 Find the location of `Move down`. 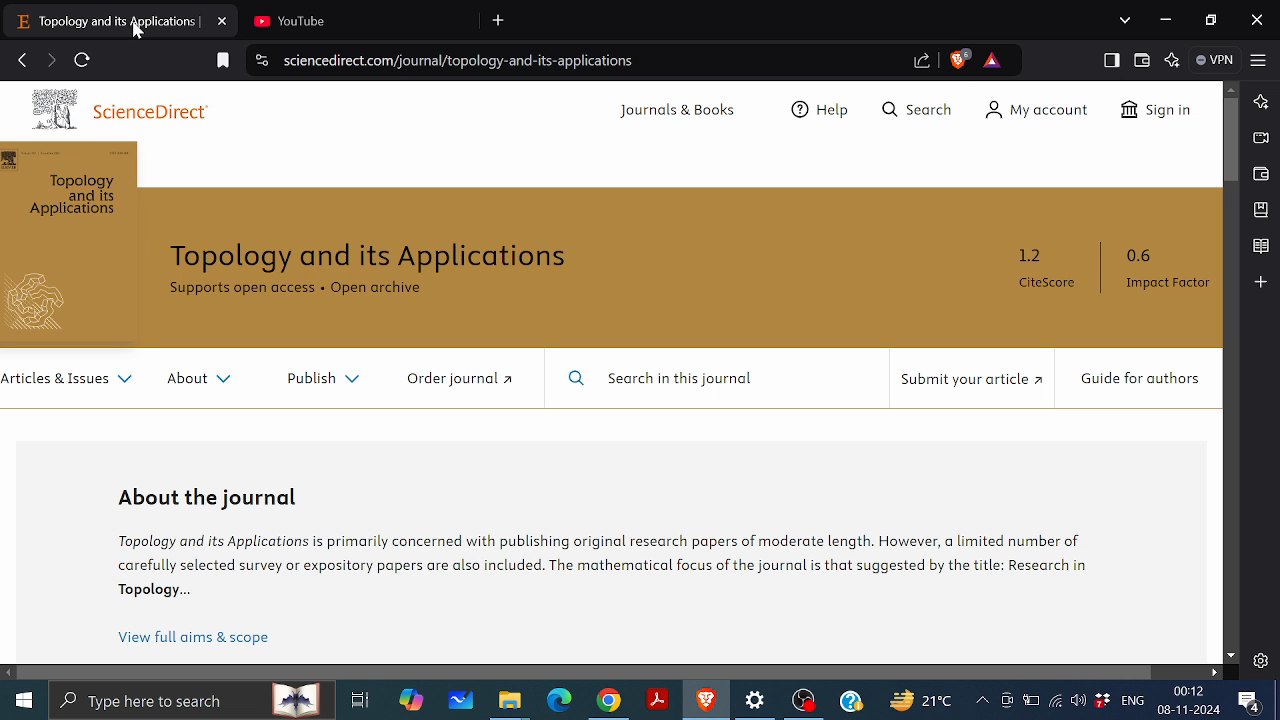

Move down is located at coordinates (1231, 656).